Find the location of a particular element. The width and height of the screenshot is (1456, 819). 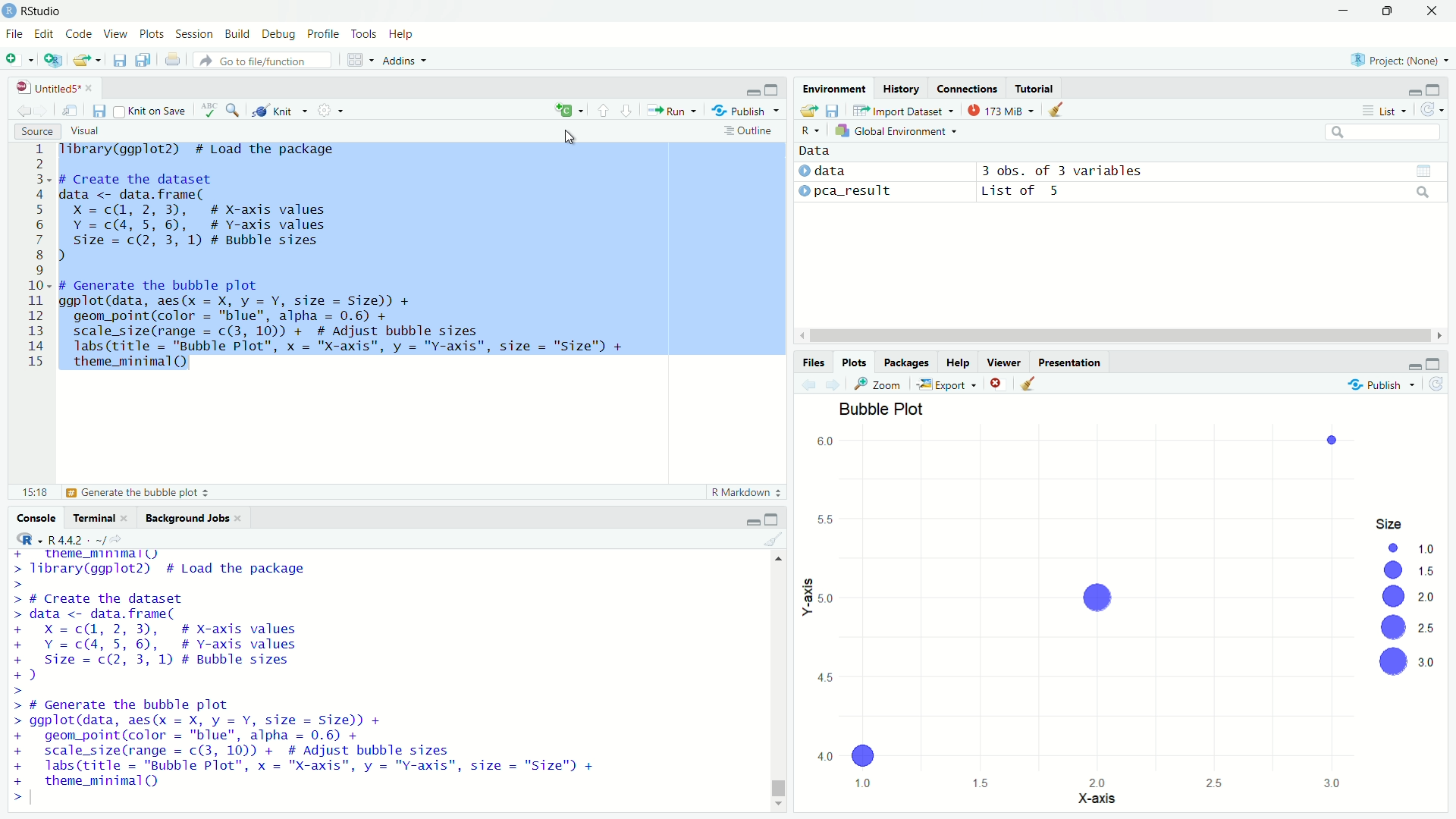

maximize is located at coordinates (775, 88).